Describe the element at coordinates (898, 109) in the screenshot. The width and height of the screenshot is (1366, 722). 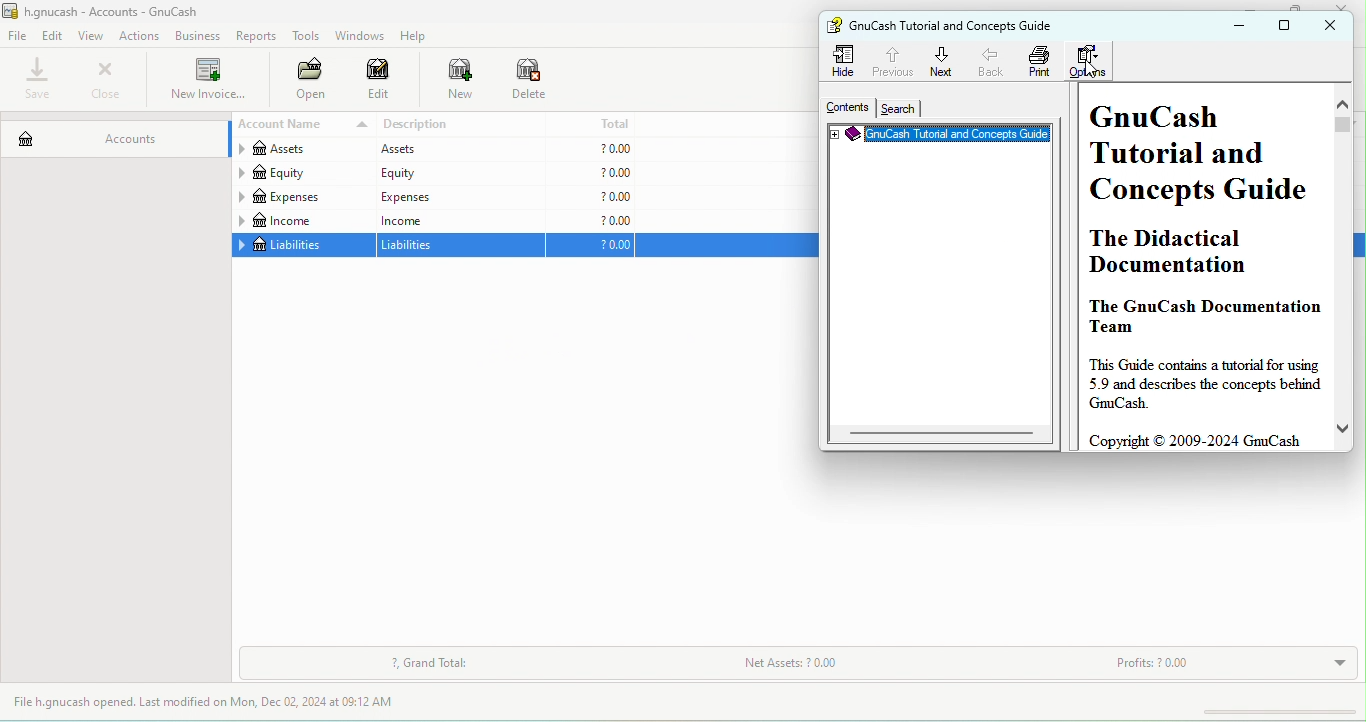
I see `search` at that location.